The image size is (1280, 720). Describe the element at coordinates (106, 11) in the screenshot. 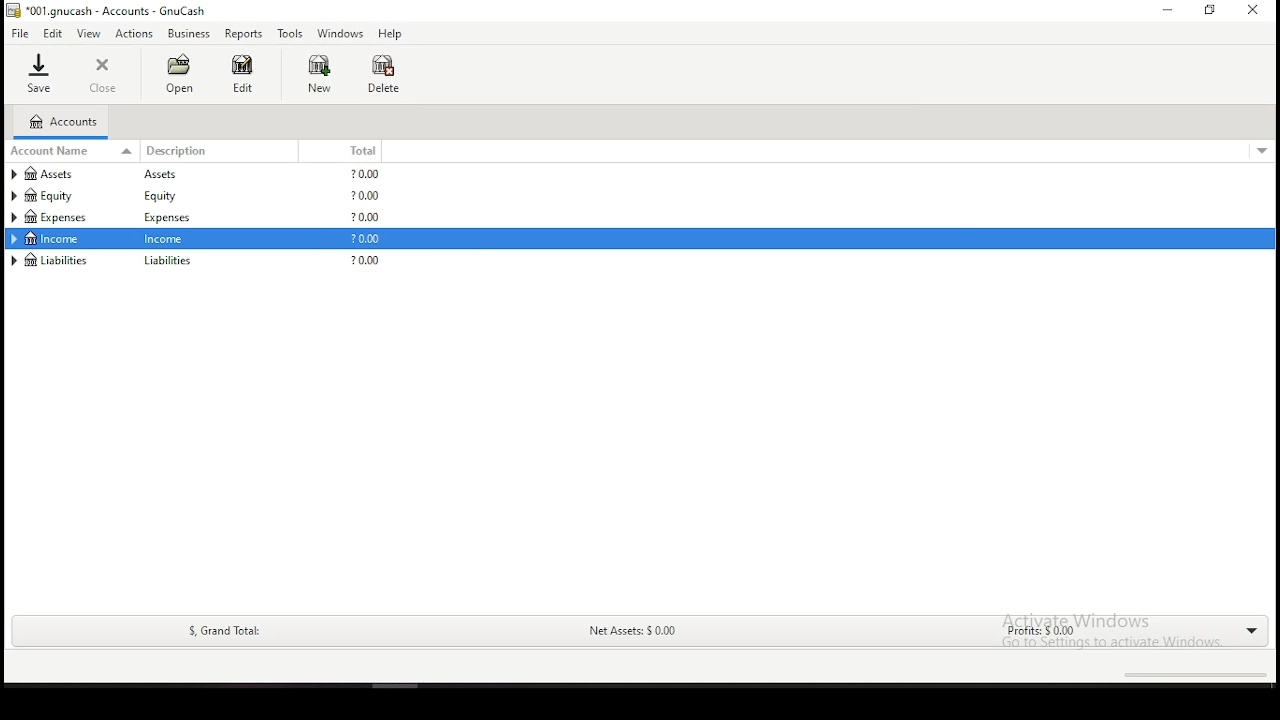

I see `*001.gnucash - accounts - GnuCash` at that location.